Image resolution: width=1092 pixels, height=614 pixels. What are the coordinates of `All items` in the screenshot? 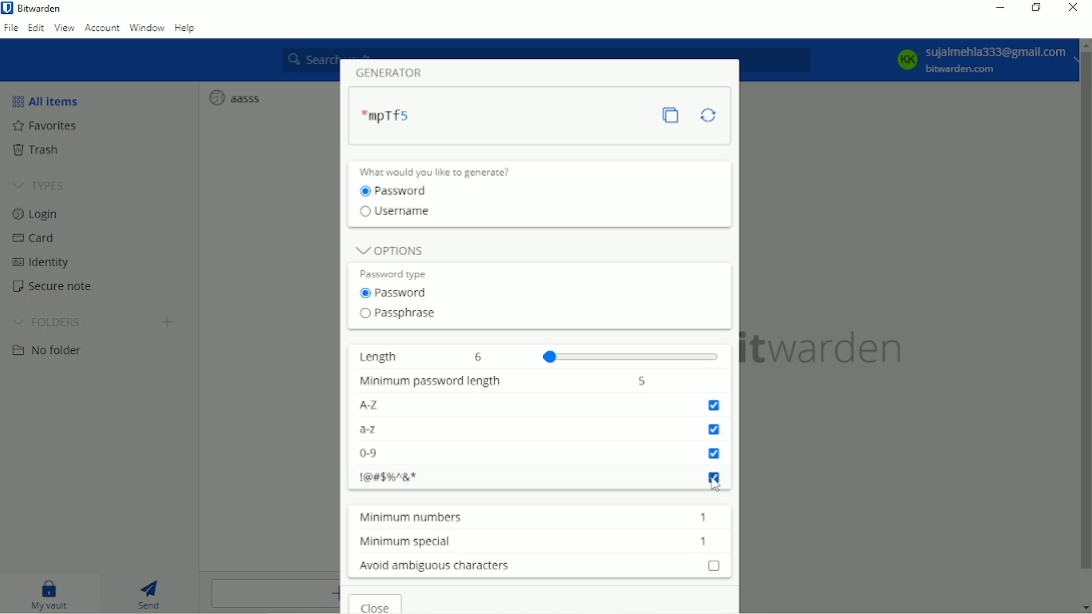 It's located at (49, 100).